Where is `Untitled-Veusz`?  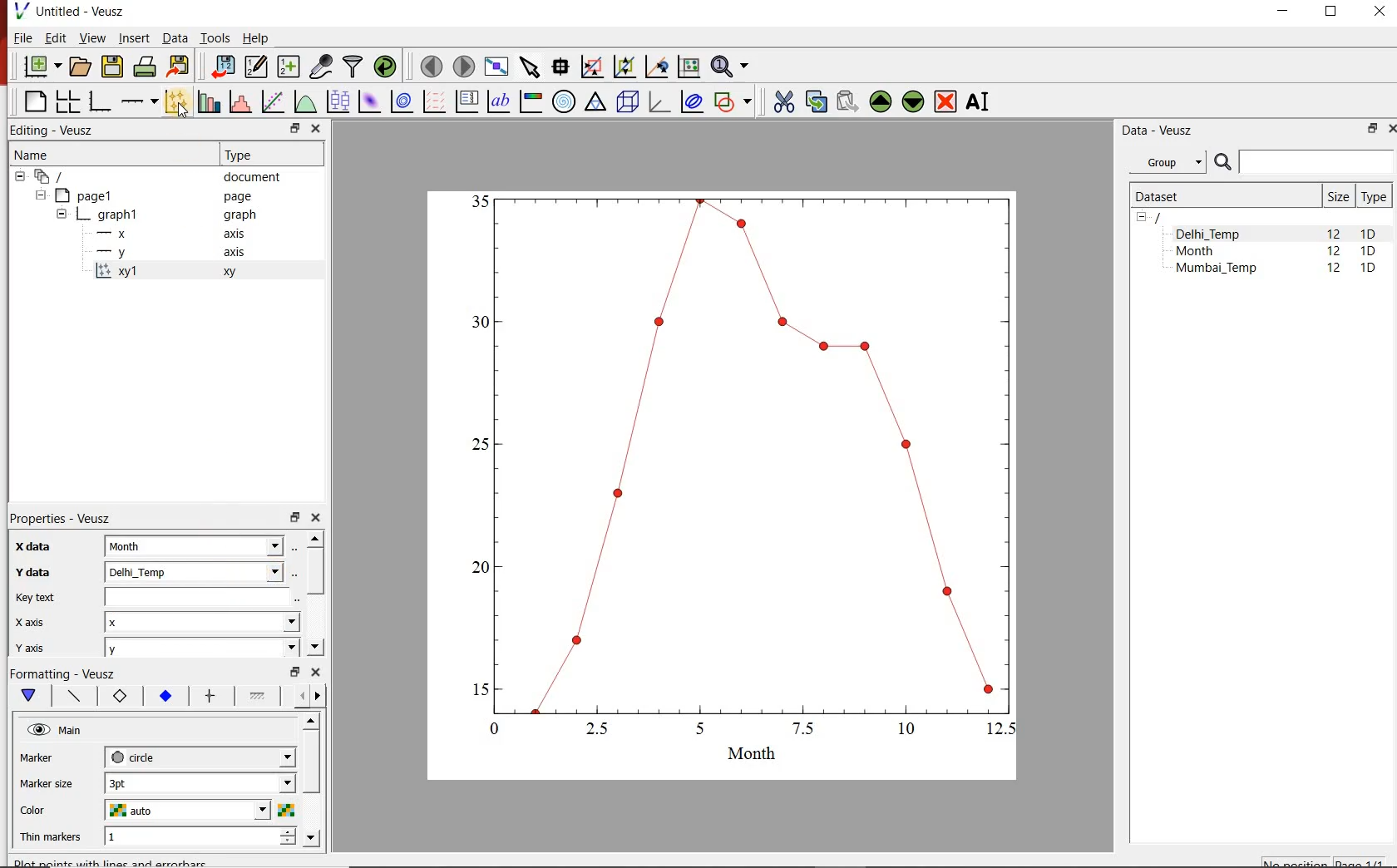
Untitled-Veusz is located at coordinates (74, 11).